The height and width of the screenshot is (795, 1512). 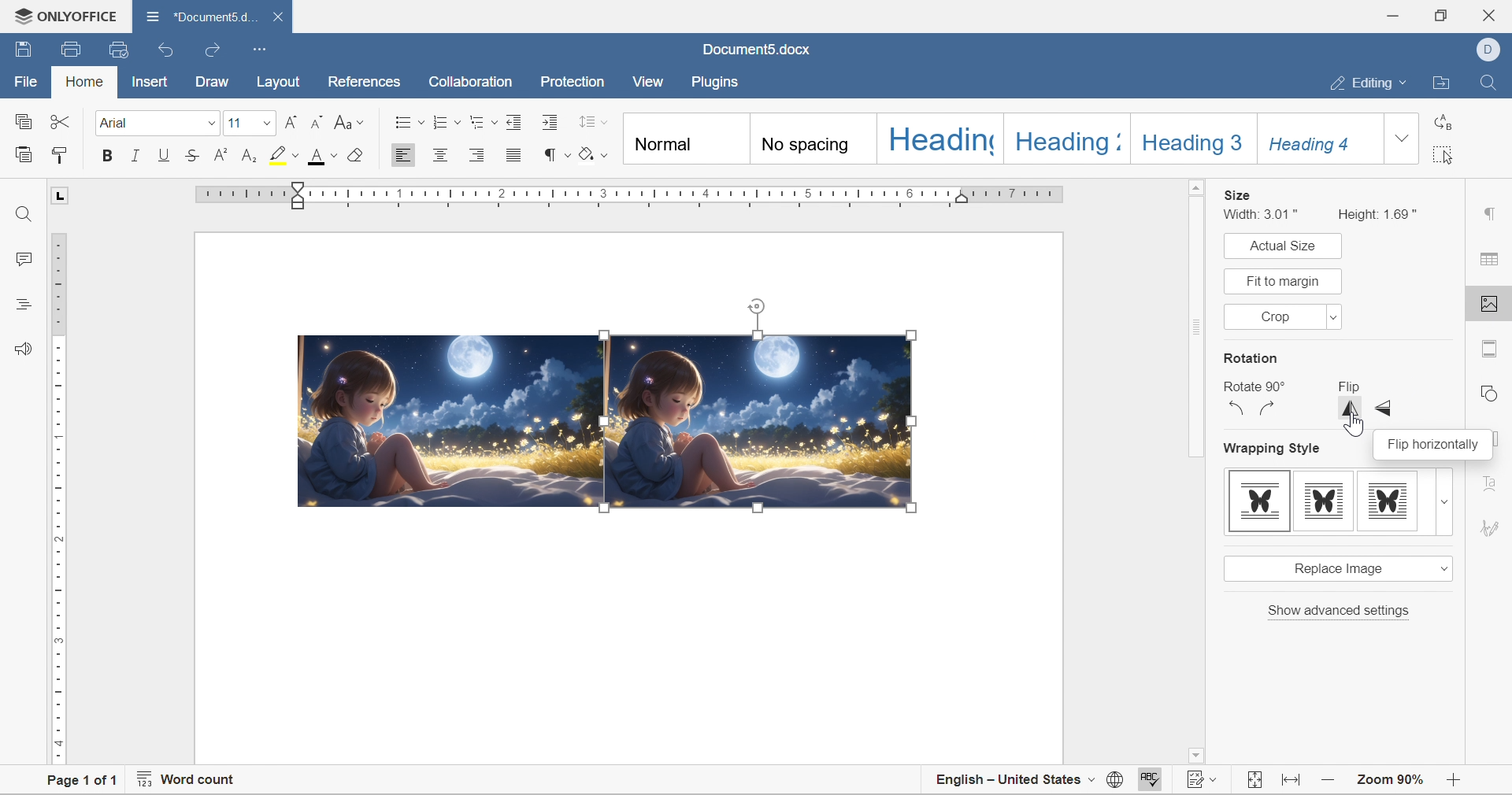 I want to click on editing, so click(x=1373, y=80).